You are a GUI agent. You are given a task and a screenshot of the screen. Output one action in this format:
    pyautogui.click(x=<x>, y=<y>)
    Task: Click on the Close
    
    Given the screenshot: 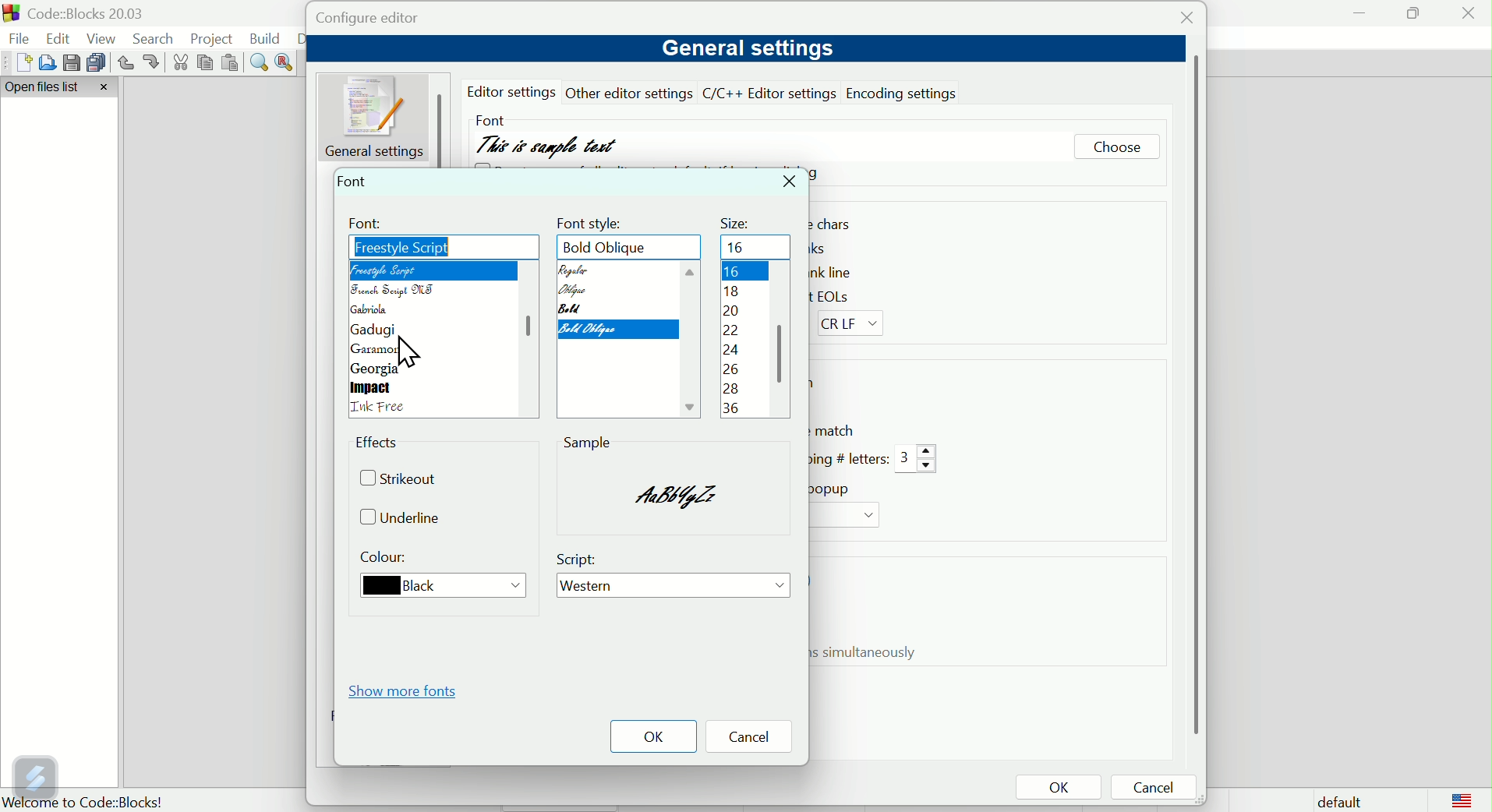 What is the action you would take?
    pyautogui.click(x=791, y=182)
    